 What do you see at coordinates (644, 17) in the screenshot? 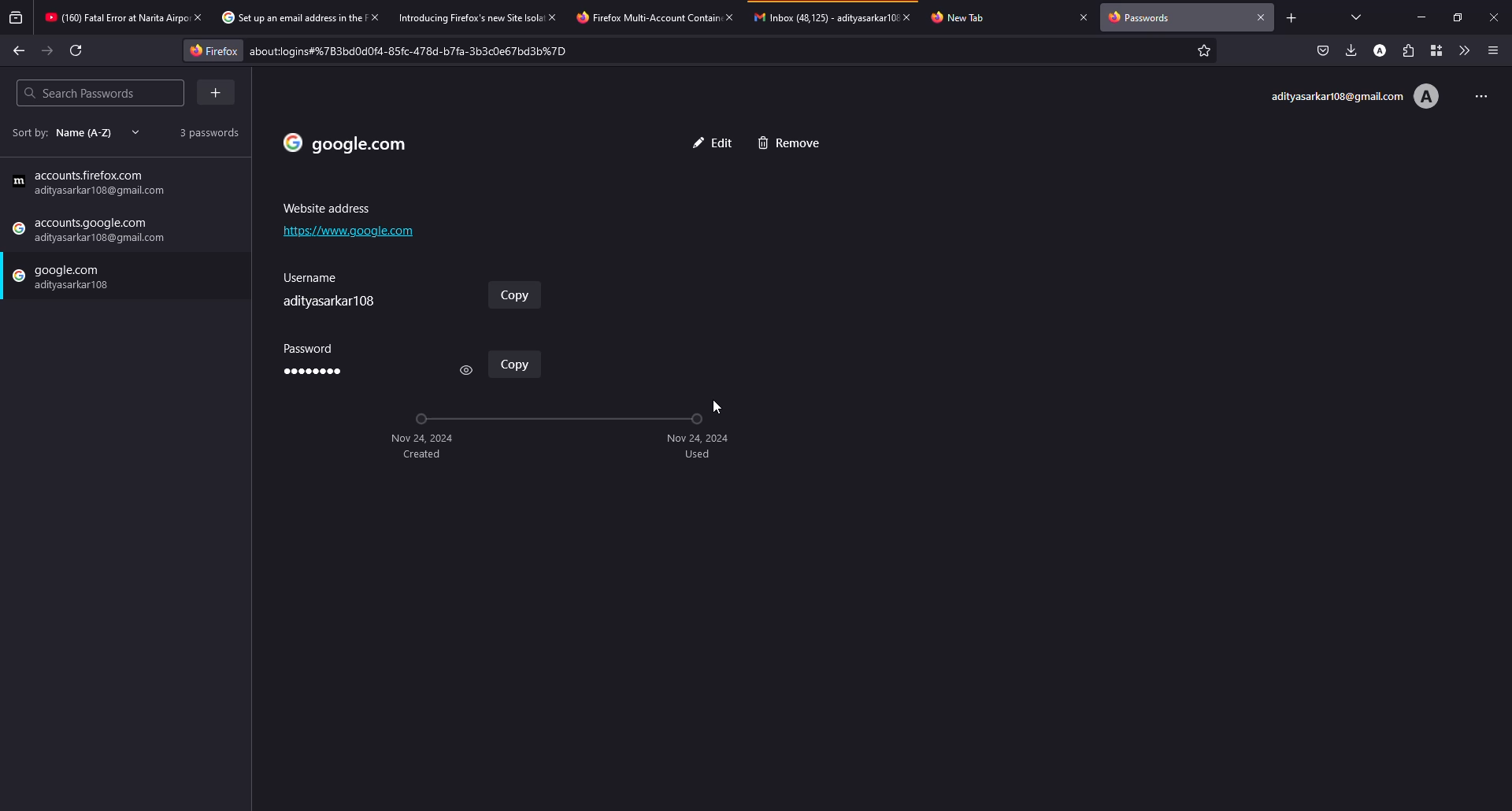
I see `tab` at bounding box center [644, 17].